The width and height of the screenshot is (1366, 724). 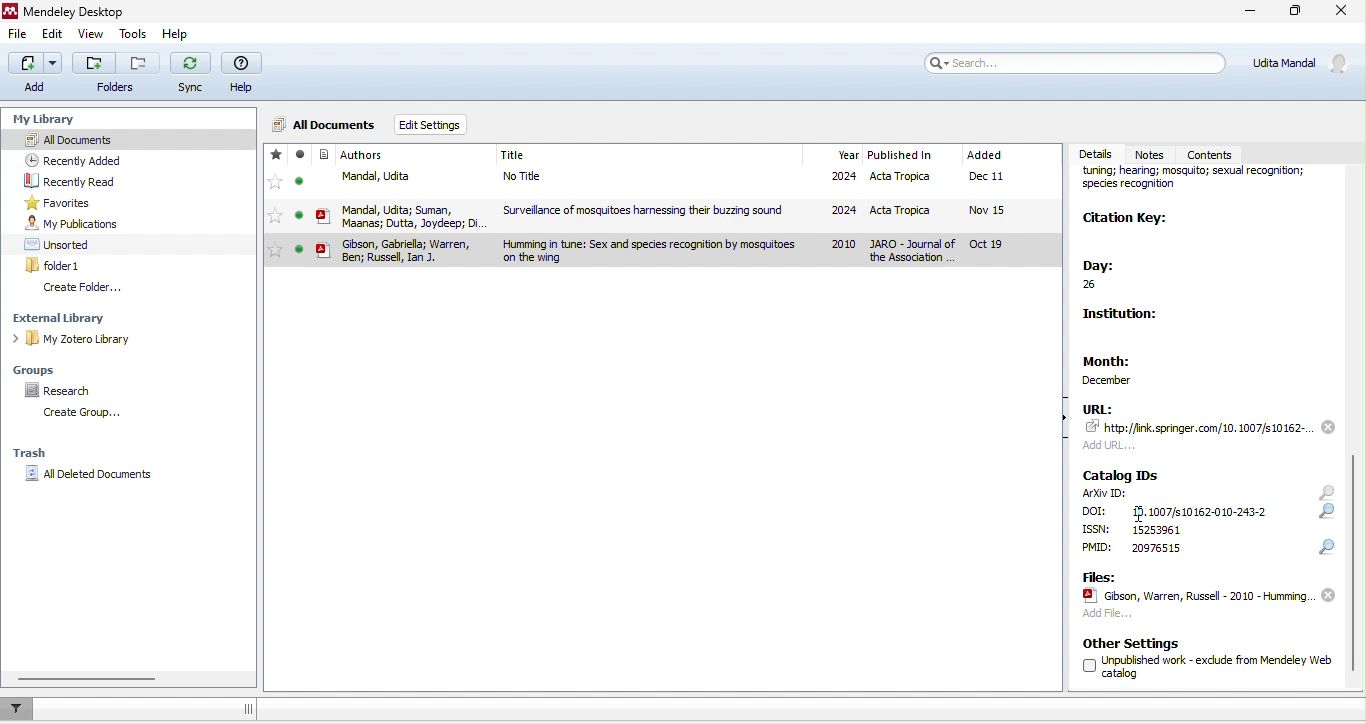 I want to click on folder 1, so click(x=56, y=265).